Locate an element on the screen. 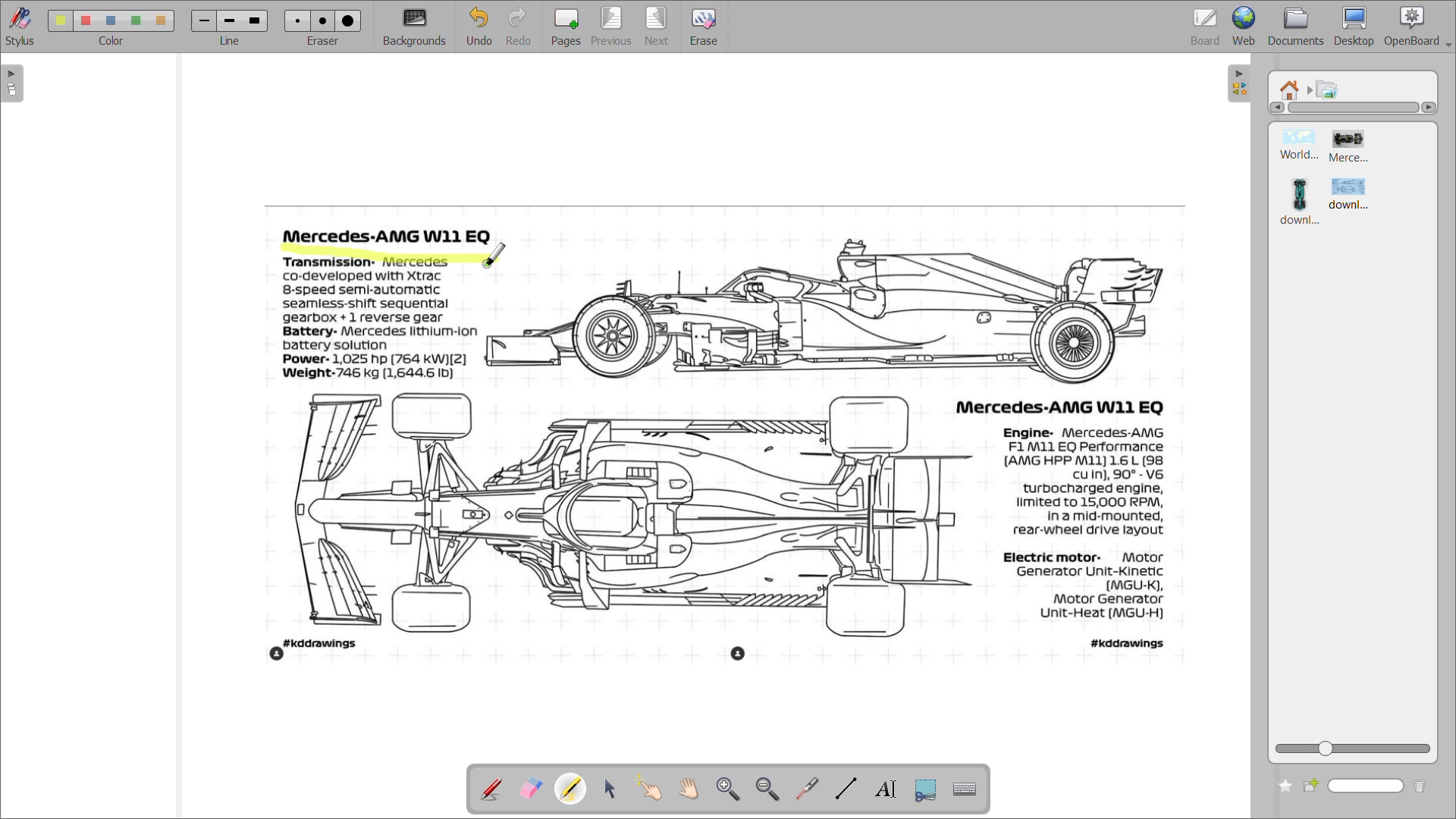  openboard is located at coordinates (1419, 27).